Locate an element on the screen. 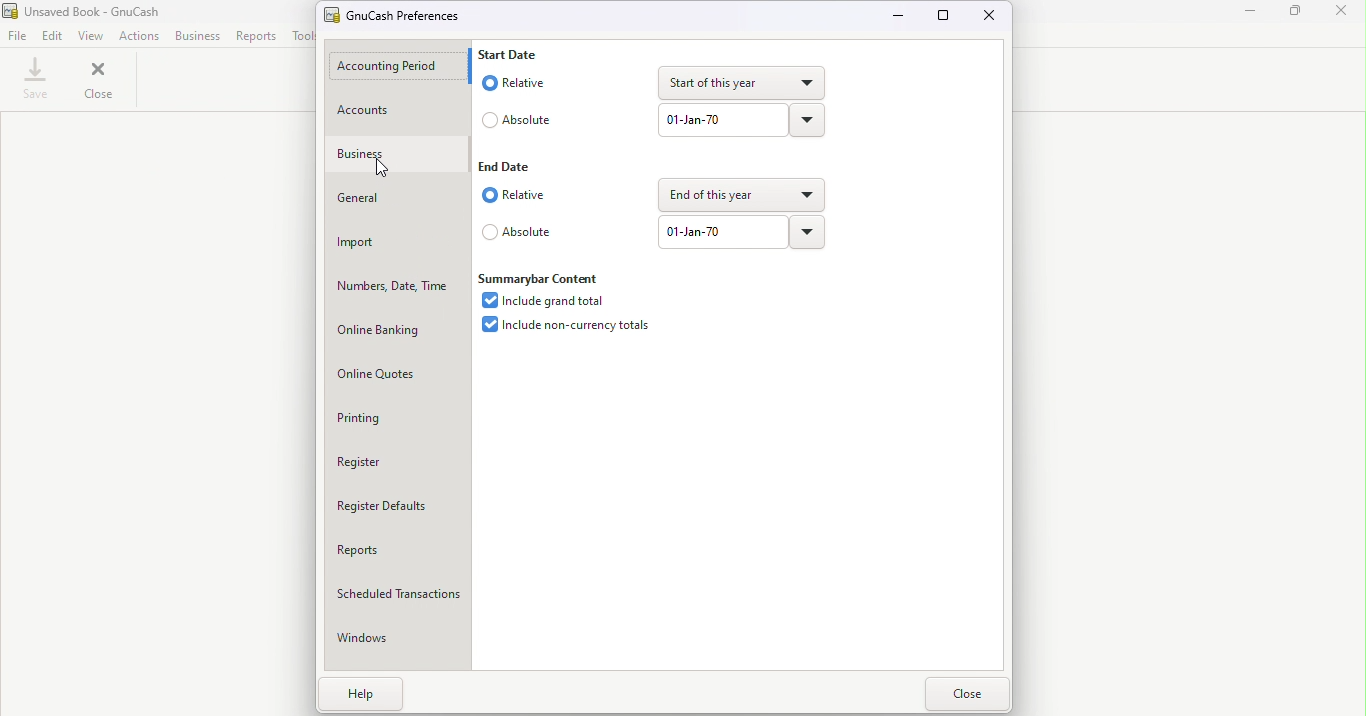 This screenshot has height=716, width=1366. Close is located at coordinates (1344, 14).